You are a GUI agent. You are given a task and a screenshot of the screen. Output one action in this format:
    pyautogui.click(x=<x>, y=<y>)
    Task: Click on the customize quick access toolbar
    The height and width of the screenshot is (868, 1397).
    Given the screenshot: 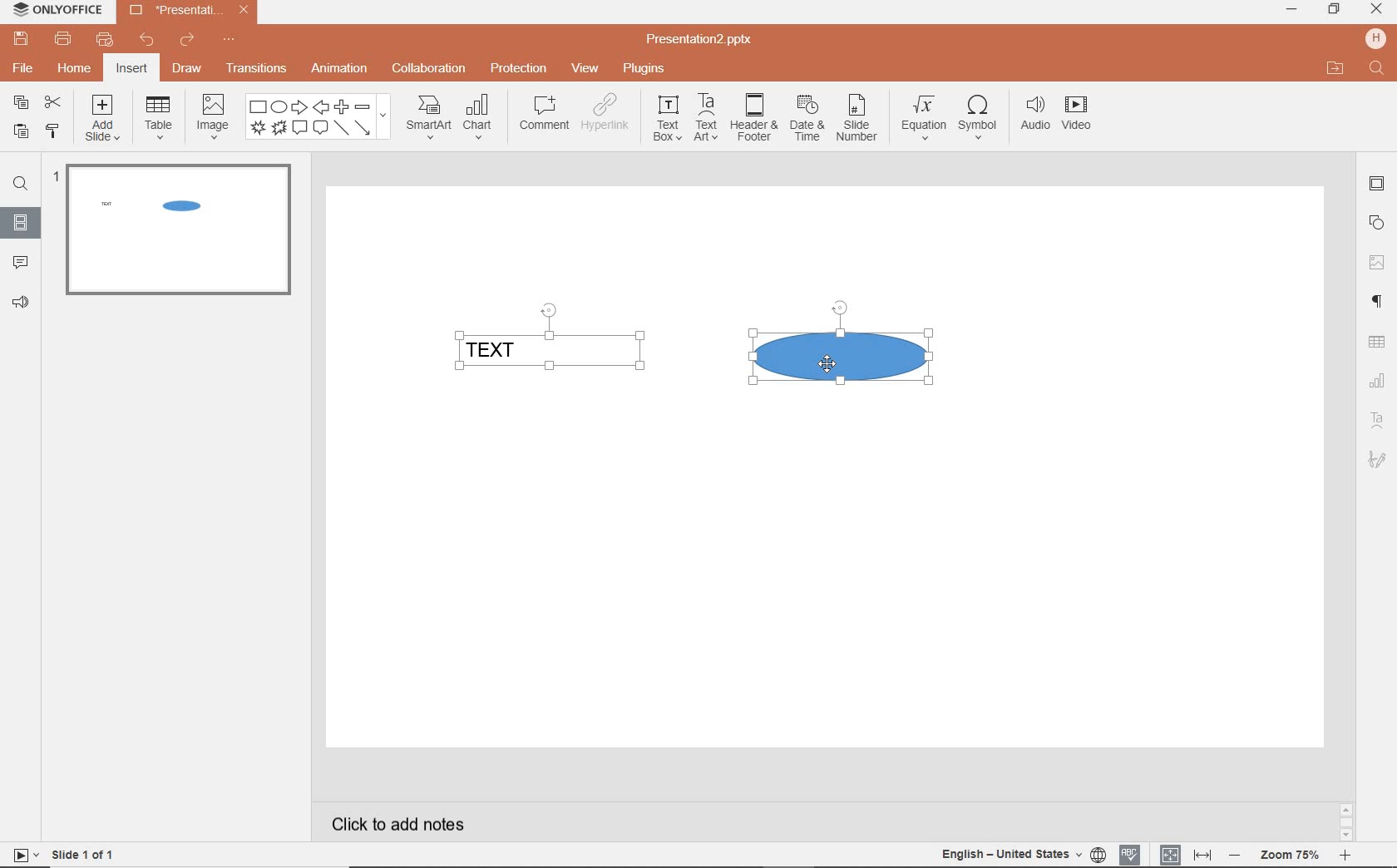 What is the action you would take?
    pyautogui.click(x=228, y=40)
    